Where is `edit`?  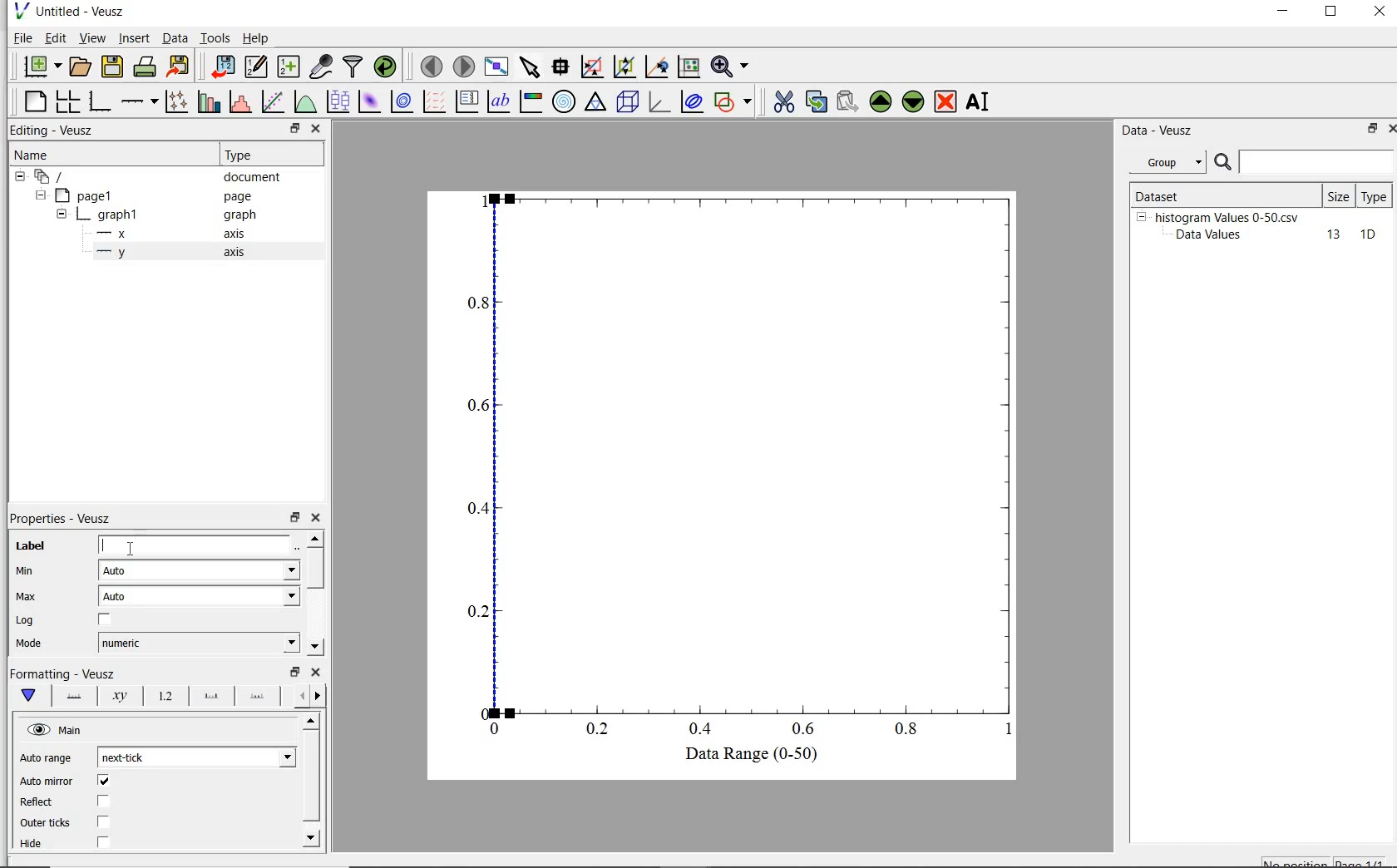
edit is located at coordinates (56, 37).